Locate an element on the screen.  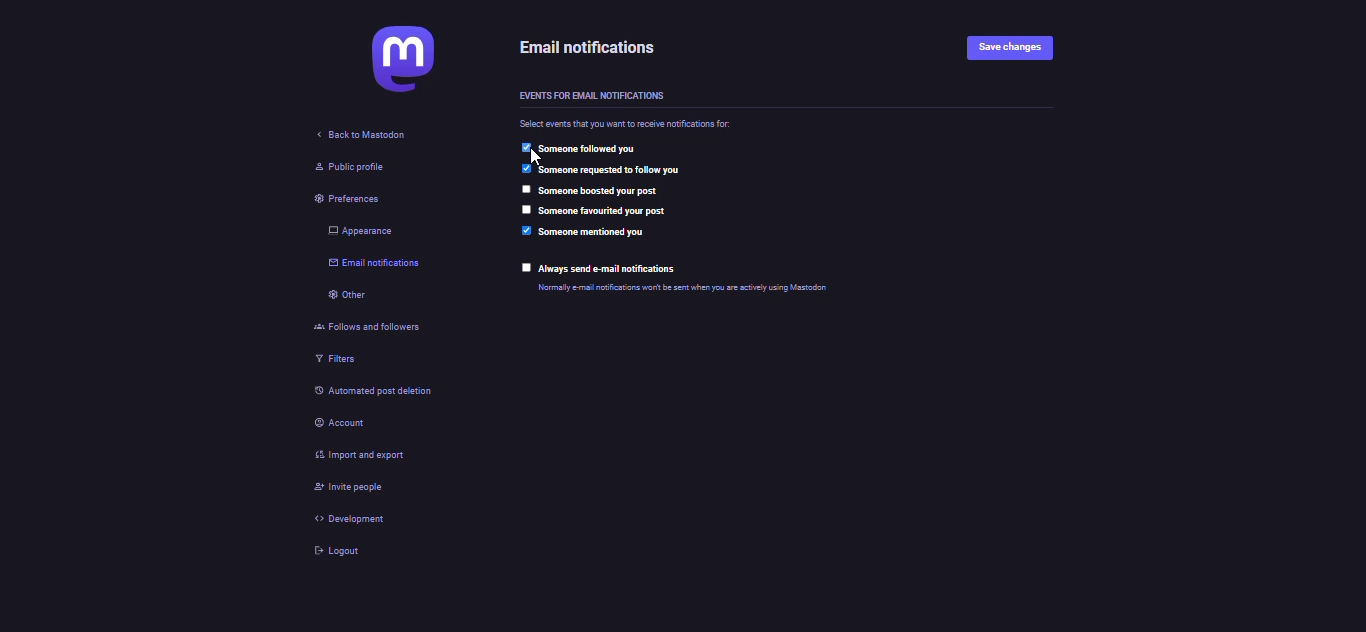
preferences is located at coordinates (338, 200).